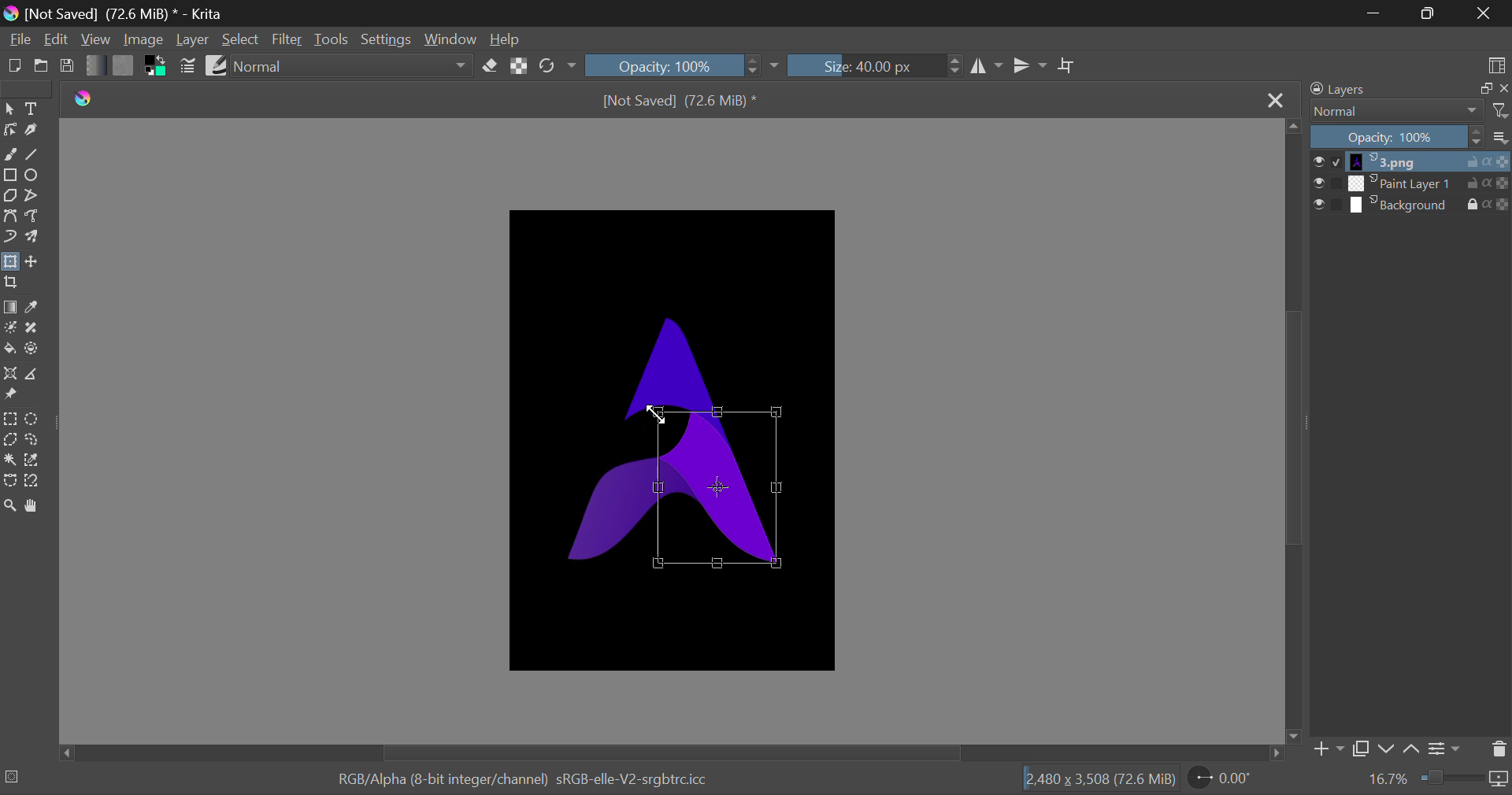  Describe the element at coordinates (875, 66) in the screenshot. I see `Brush Size` at that location.